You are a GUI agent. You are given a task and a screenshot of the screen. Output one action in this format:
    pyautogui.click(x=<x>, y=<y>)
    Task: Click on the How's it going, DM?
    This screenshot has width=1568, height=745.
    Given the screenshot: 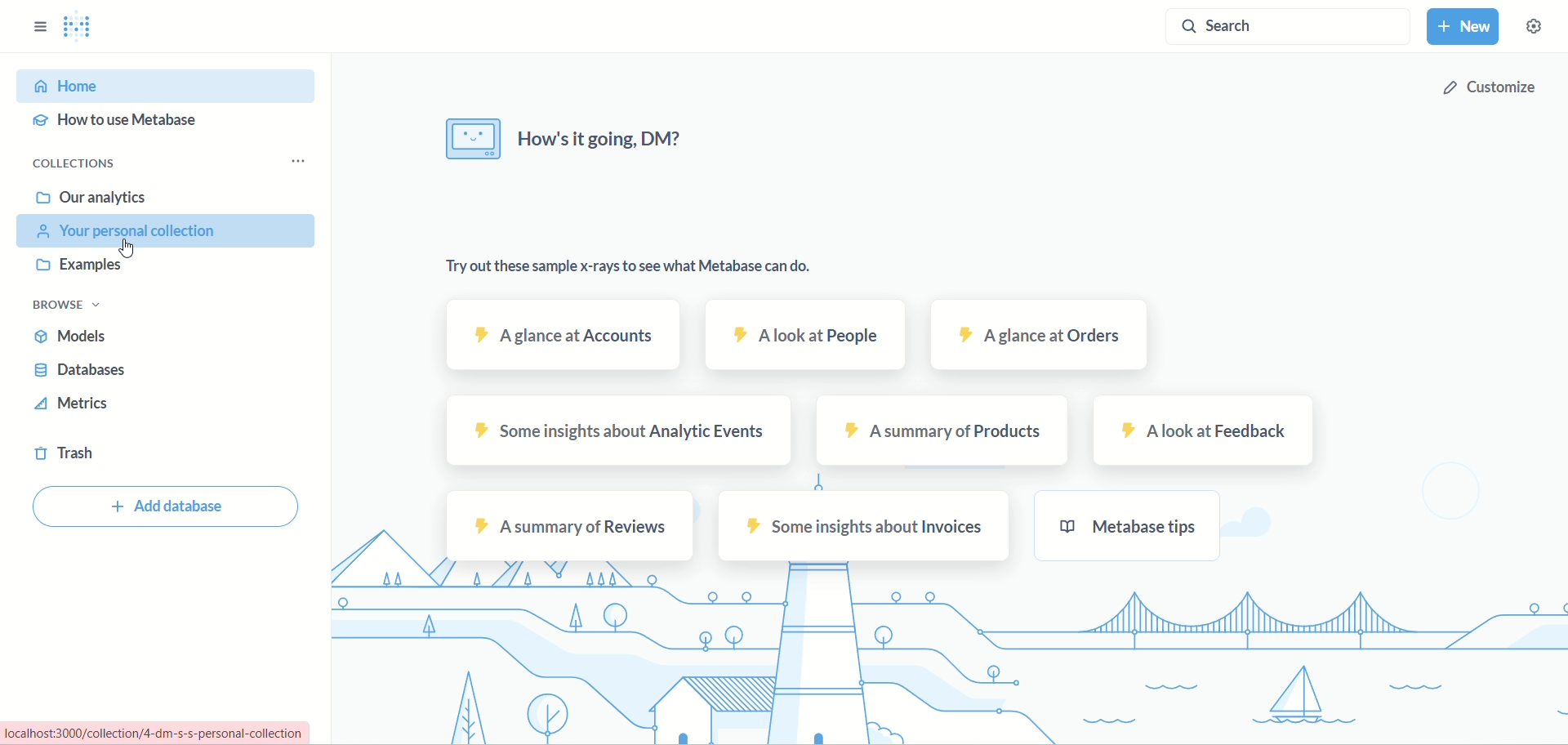 What is the action you would take?
    pyautogui.click(x=565, y=140)
    